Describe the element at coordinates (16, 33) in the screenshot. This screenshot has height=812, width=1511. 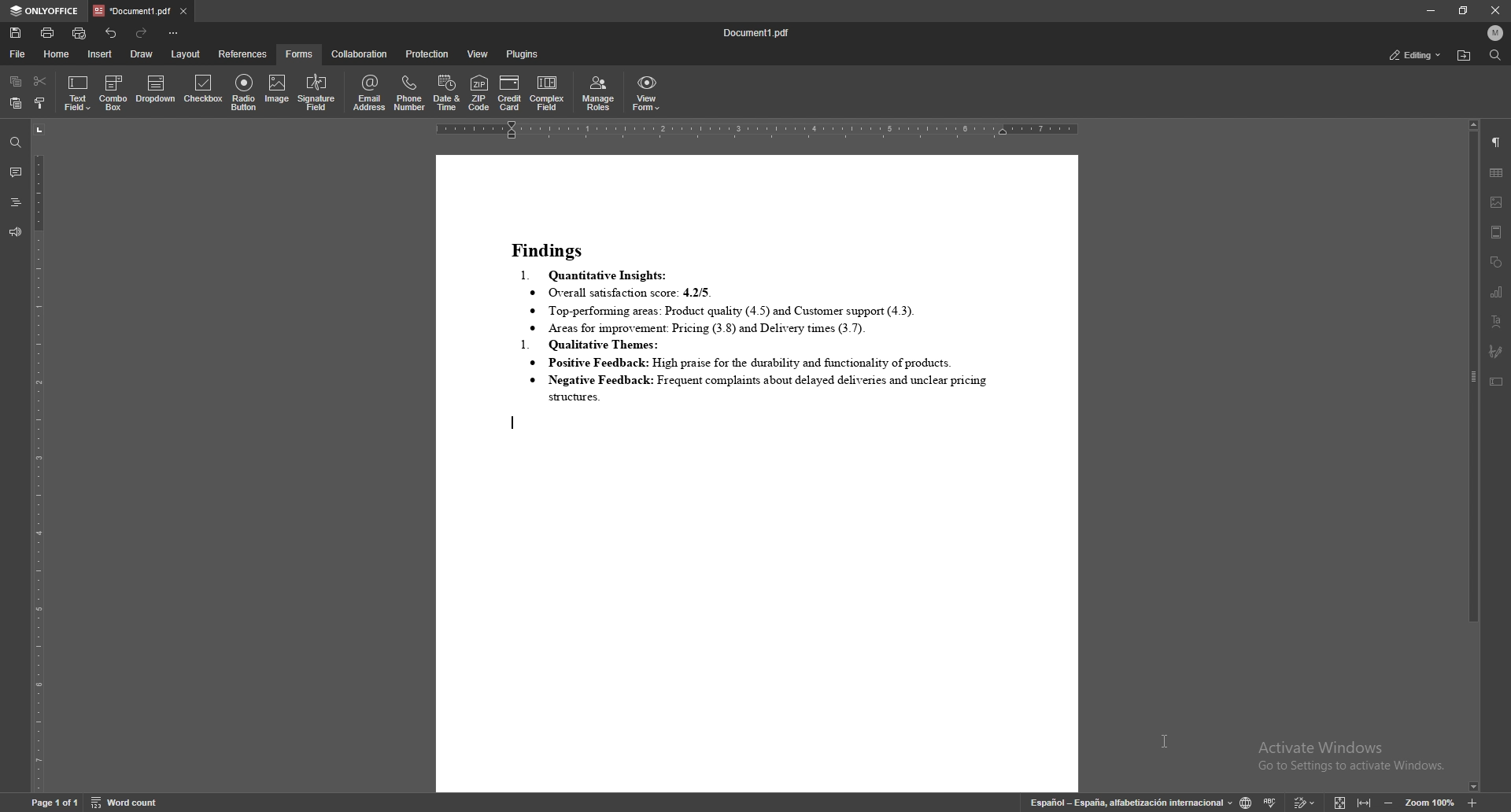
I see `save` at that location.